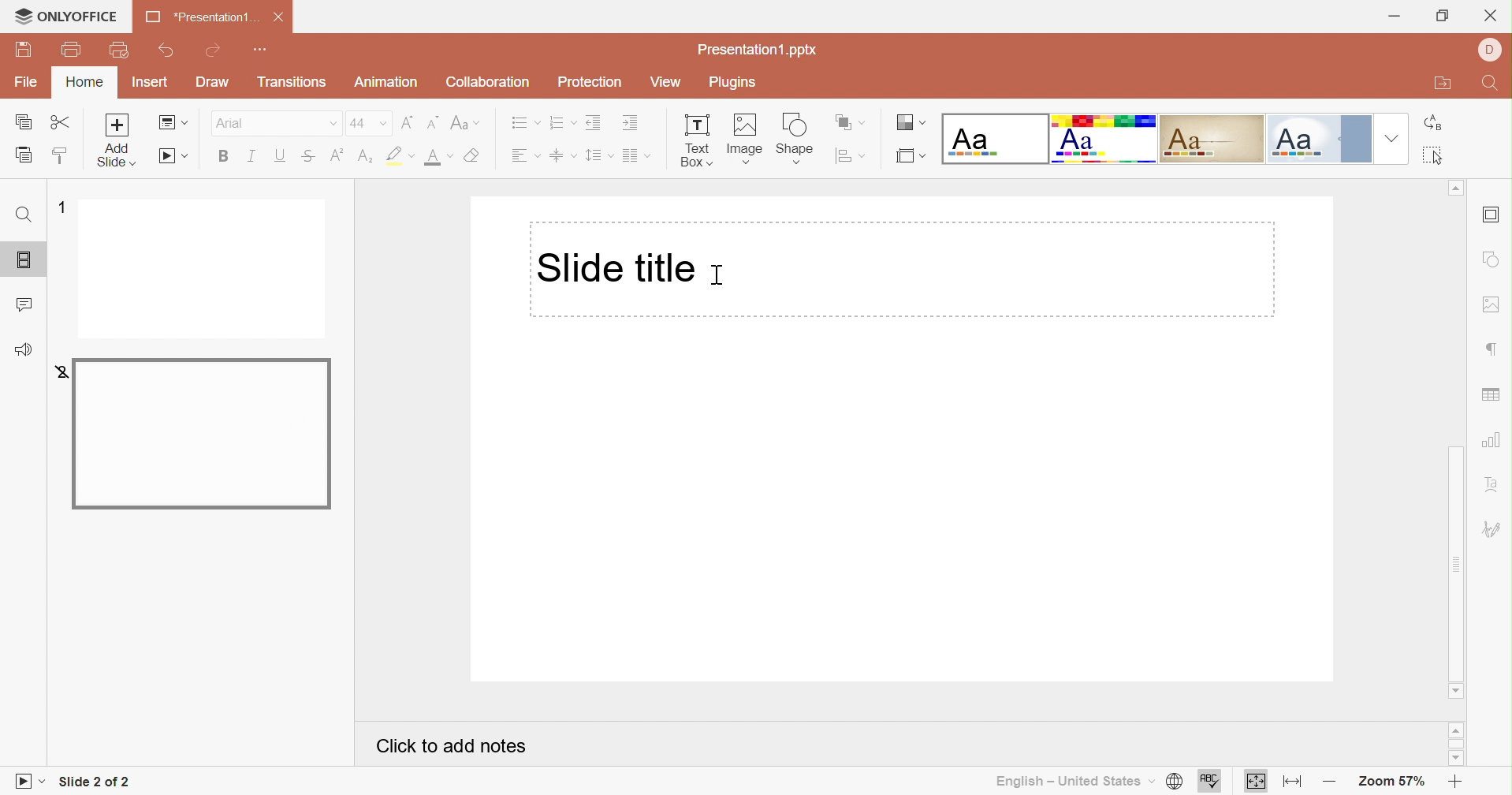  I want to click on Text art settings, so click(1497, 486).